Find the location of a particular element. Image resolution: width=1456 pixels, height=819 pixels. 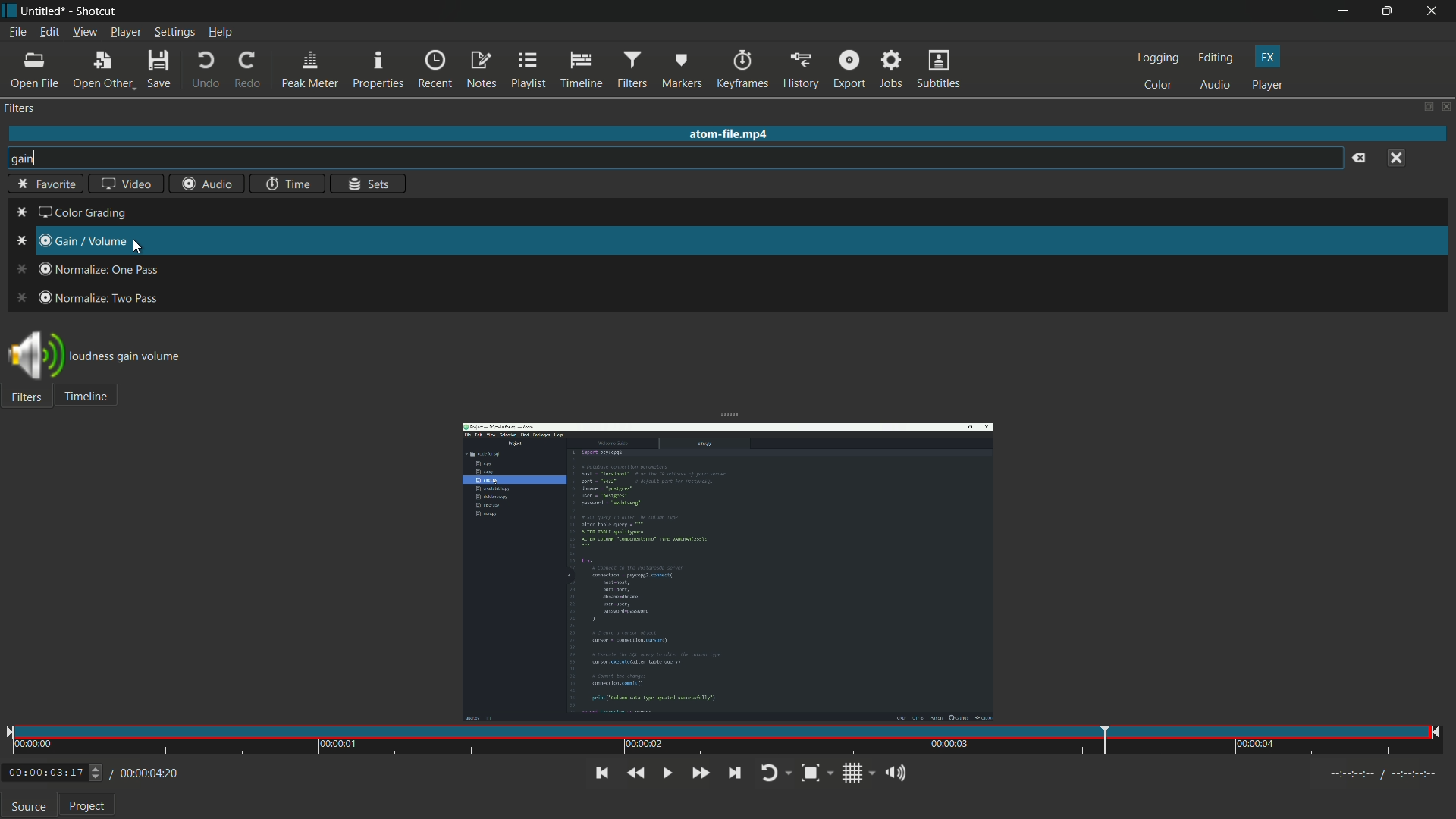

export is located at coordinates (849, 71).